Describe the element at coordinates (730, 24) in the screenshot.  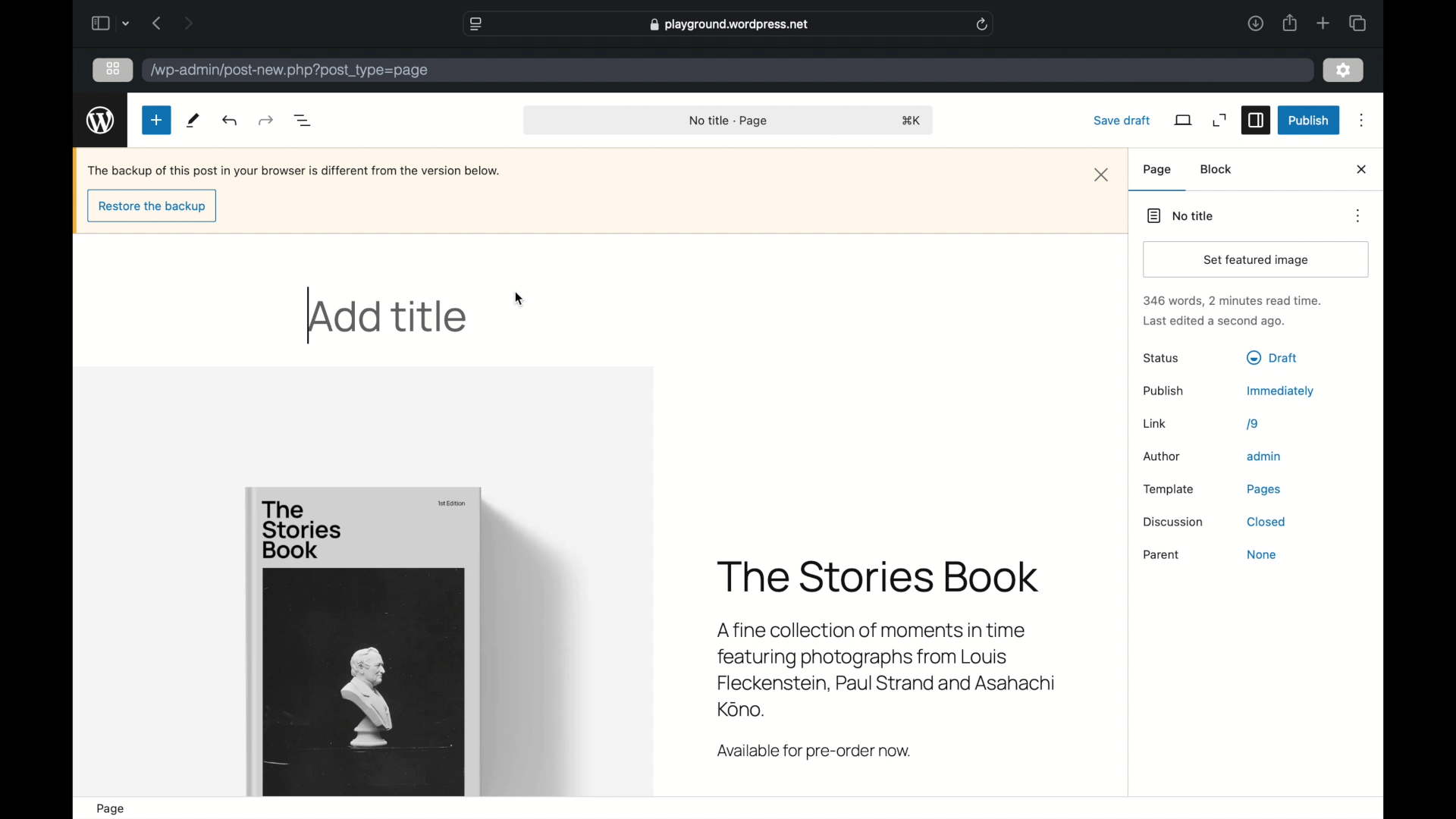
I see `playground.wordpress.net` at that location.